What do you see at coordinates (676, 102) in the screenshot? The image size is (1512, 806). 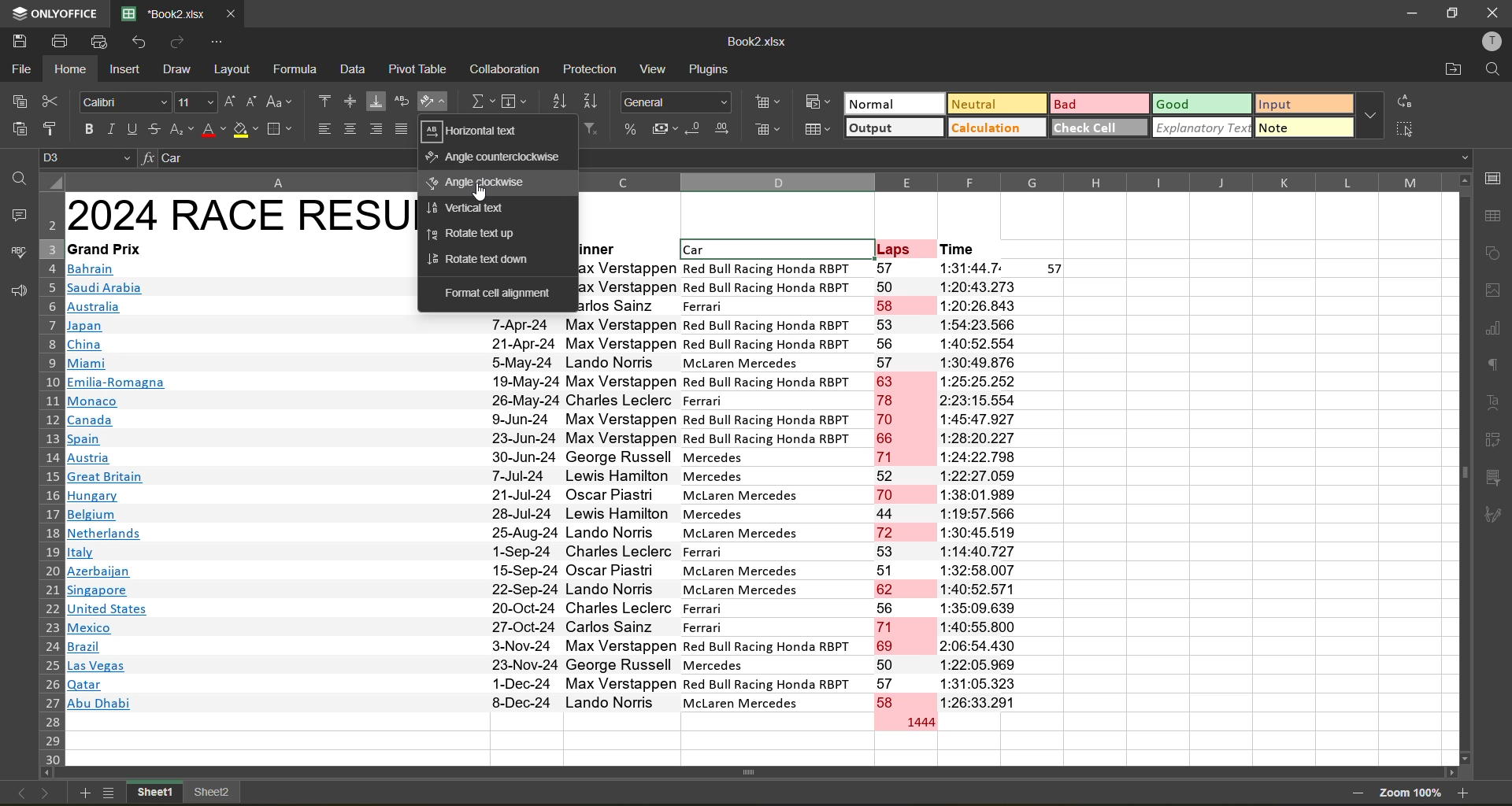 I see `number format` at bounding box center [676, 102].